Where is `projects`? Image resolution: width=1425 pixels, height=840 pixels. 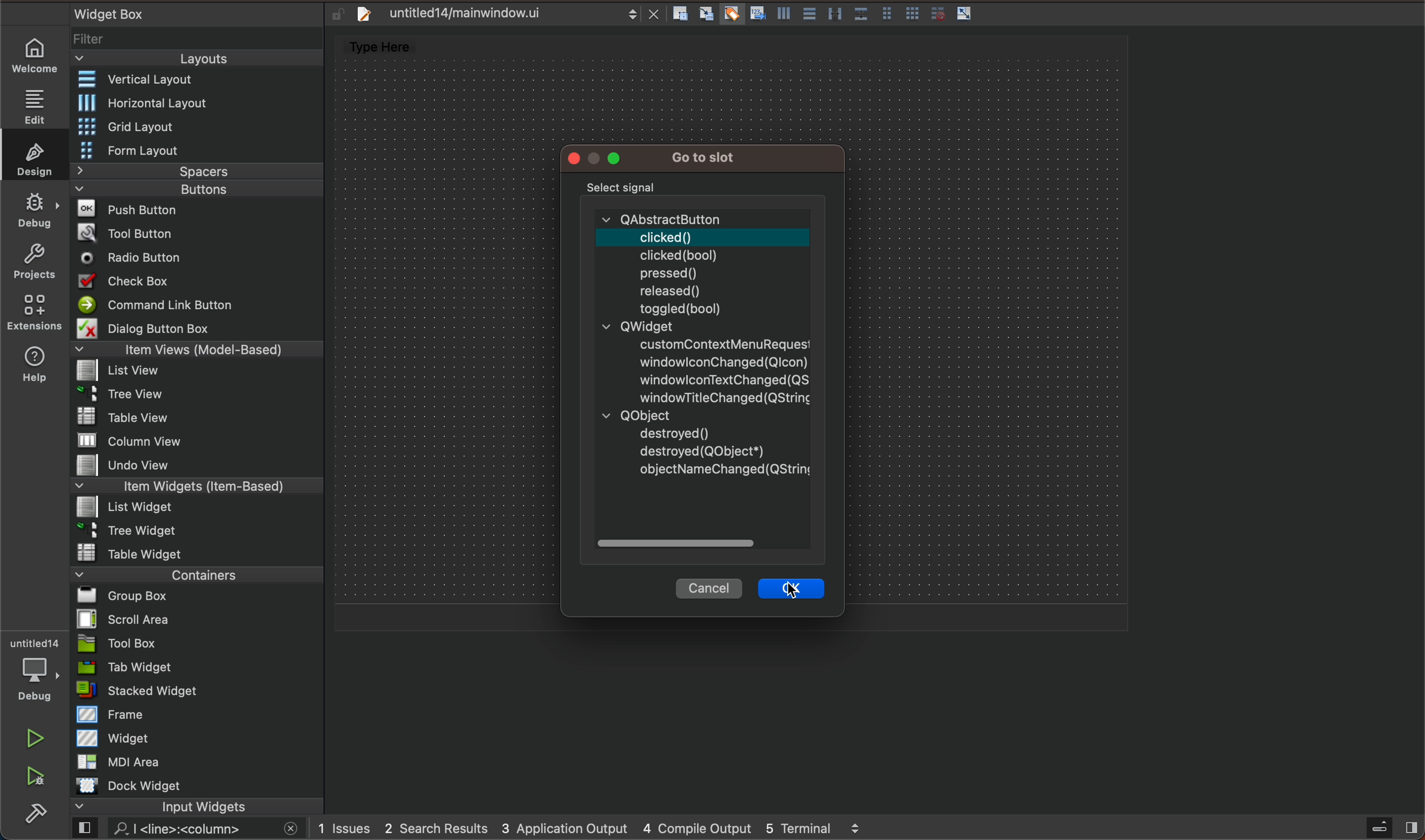 projects is located at coordinates (33, 260).